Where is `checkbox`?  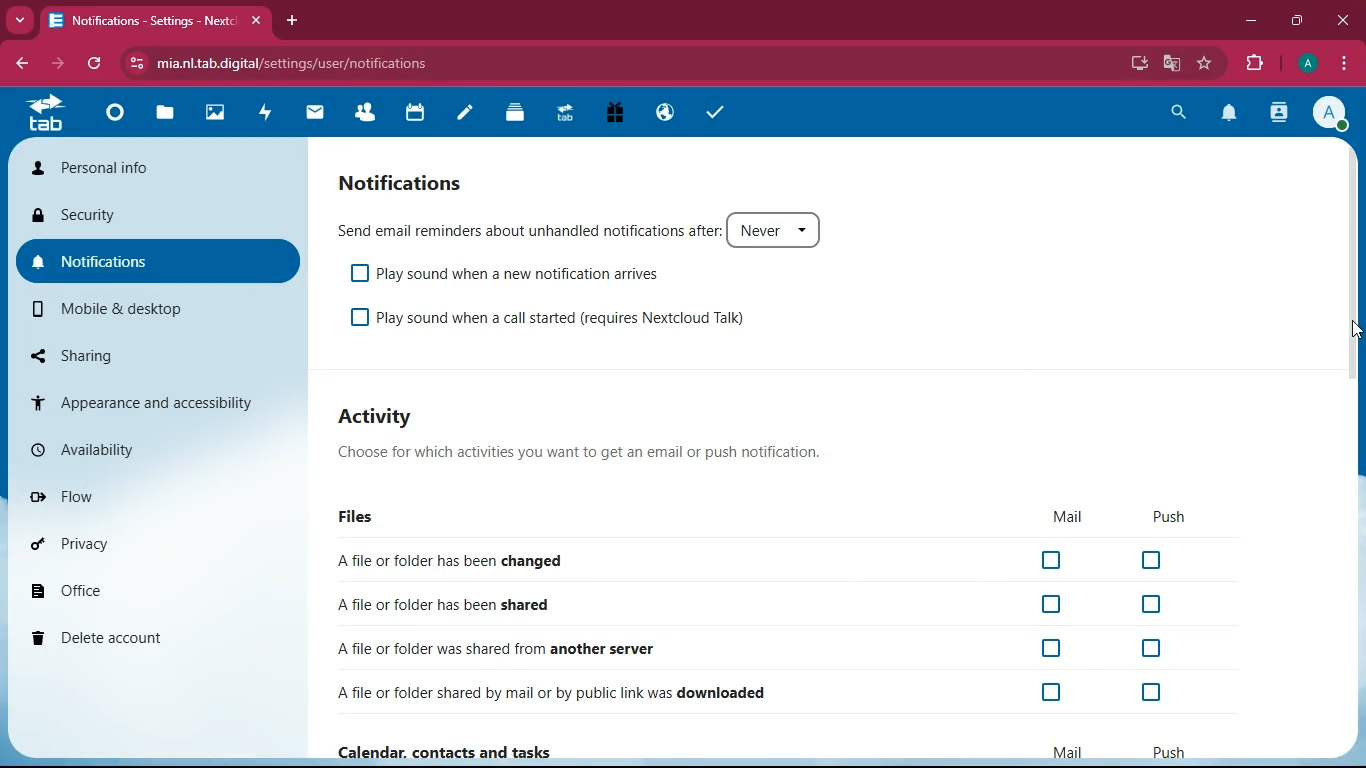 checkbox is located at coordinates (358, 273).